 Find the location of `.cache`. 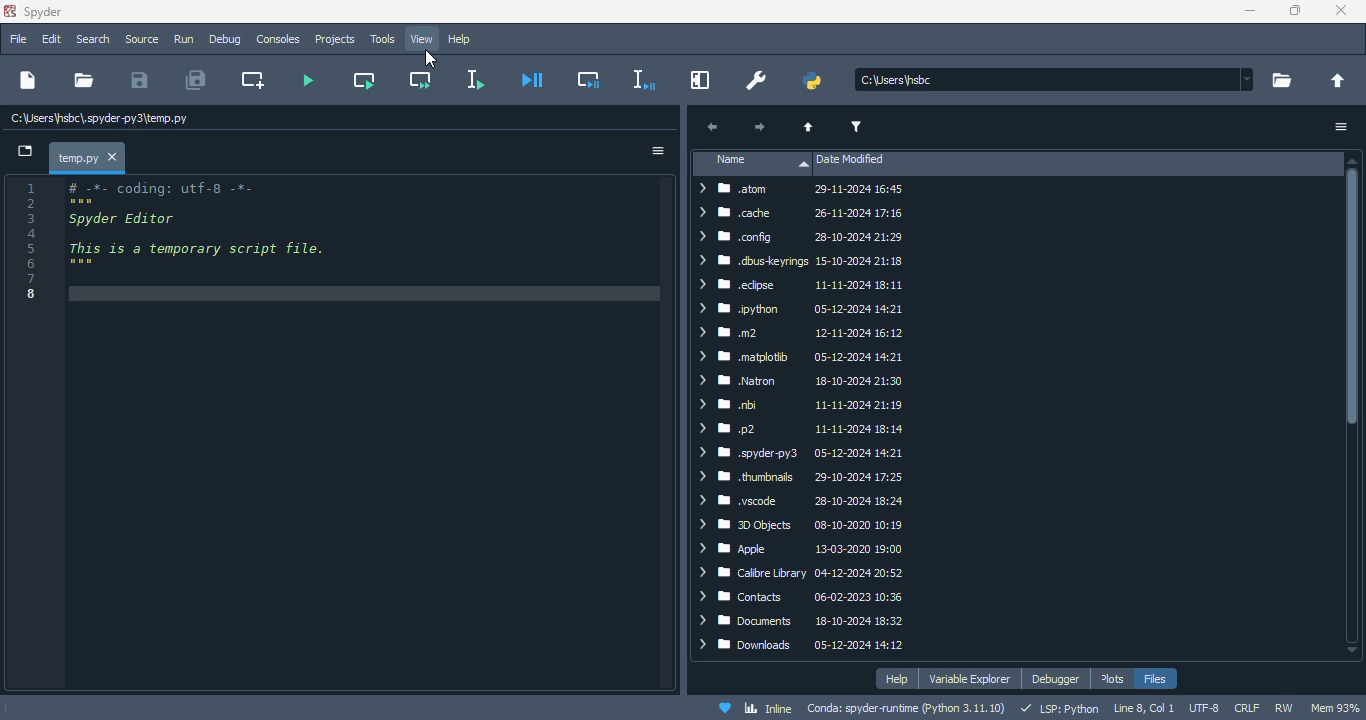

.cache is located at coordinates (802, 212).